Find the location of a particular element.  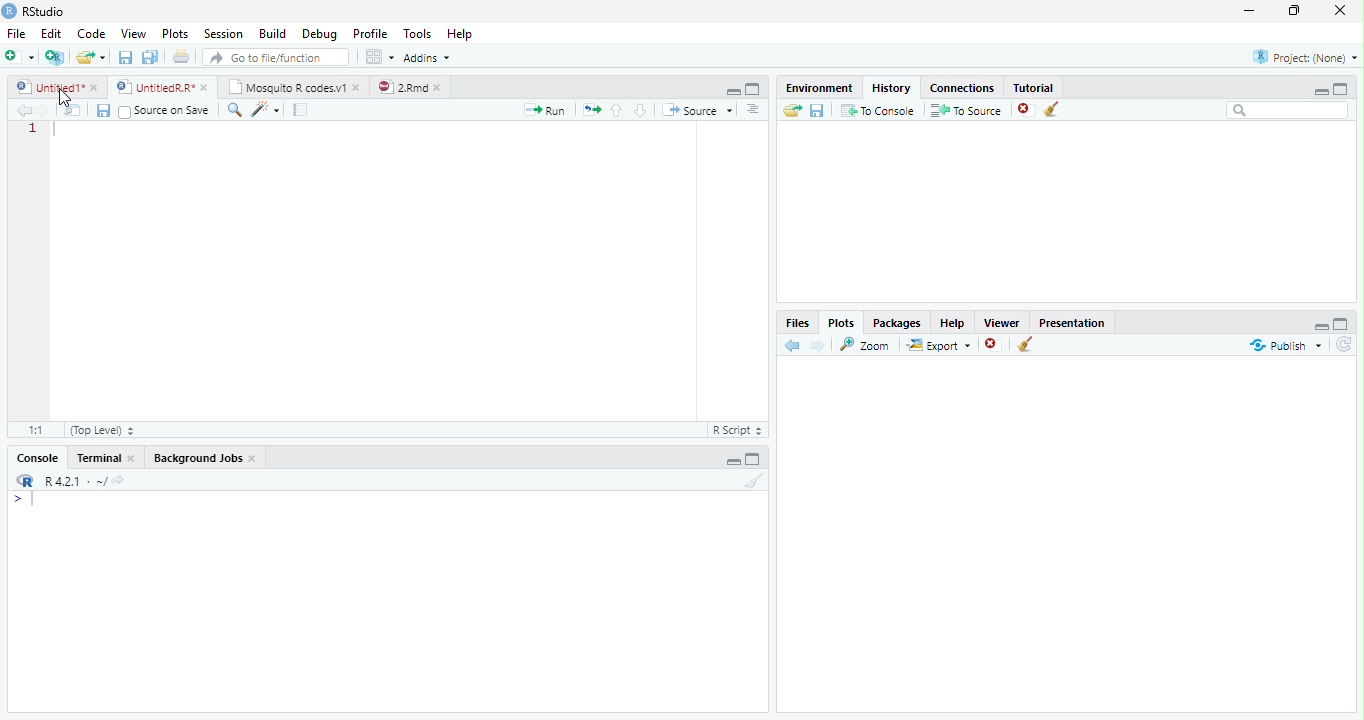

Help is located at coordinates (952, 322).